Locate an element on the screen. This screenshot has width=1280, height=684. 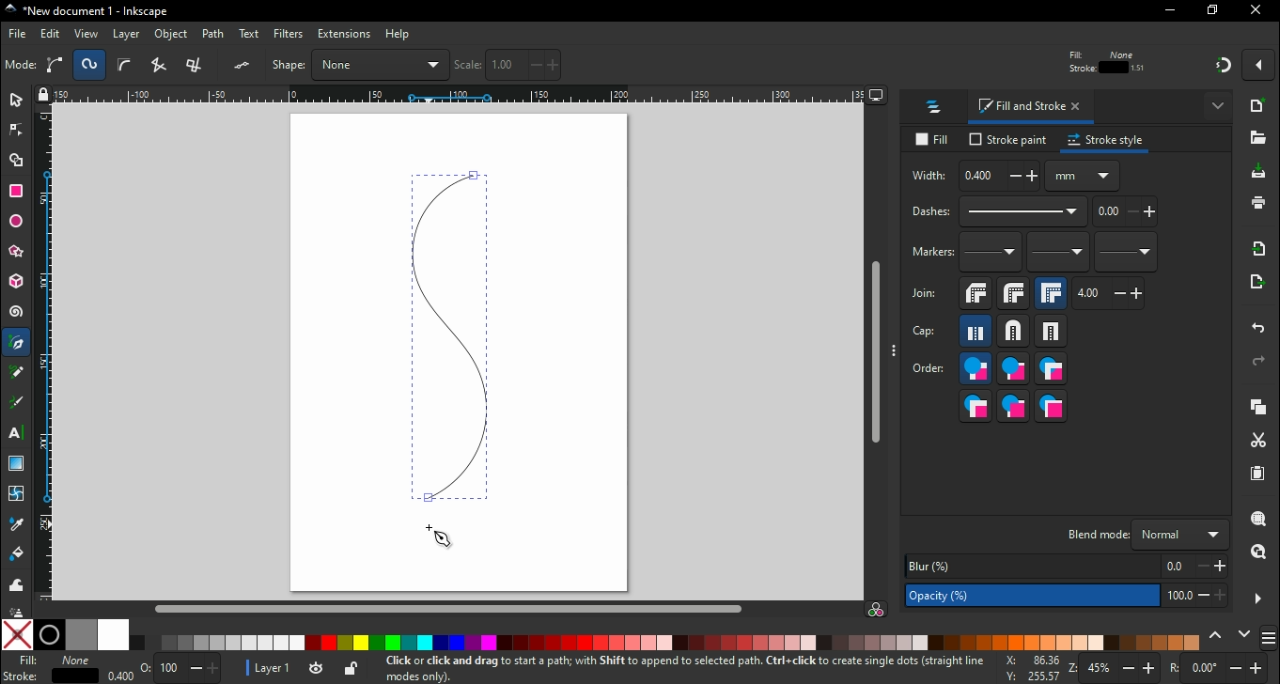
ellipse / arc tool is located at coordinates (16, 220).